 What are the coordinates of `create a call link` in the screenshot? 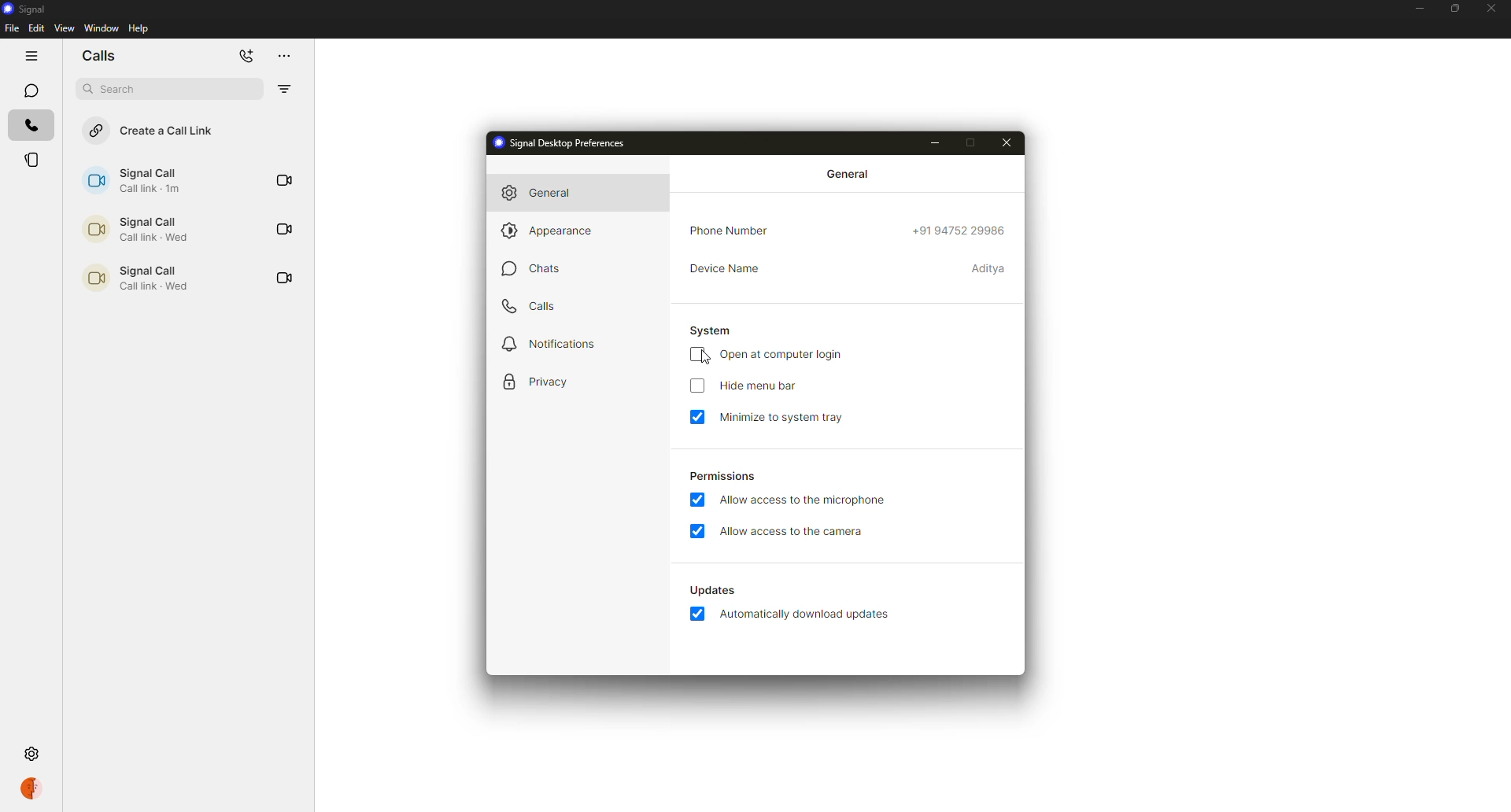 It's located at (151, 131).